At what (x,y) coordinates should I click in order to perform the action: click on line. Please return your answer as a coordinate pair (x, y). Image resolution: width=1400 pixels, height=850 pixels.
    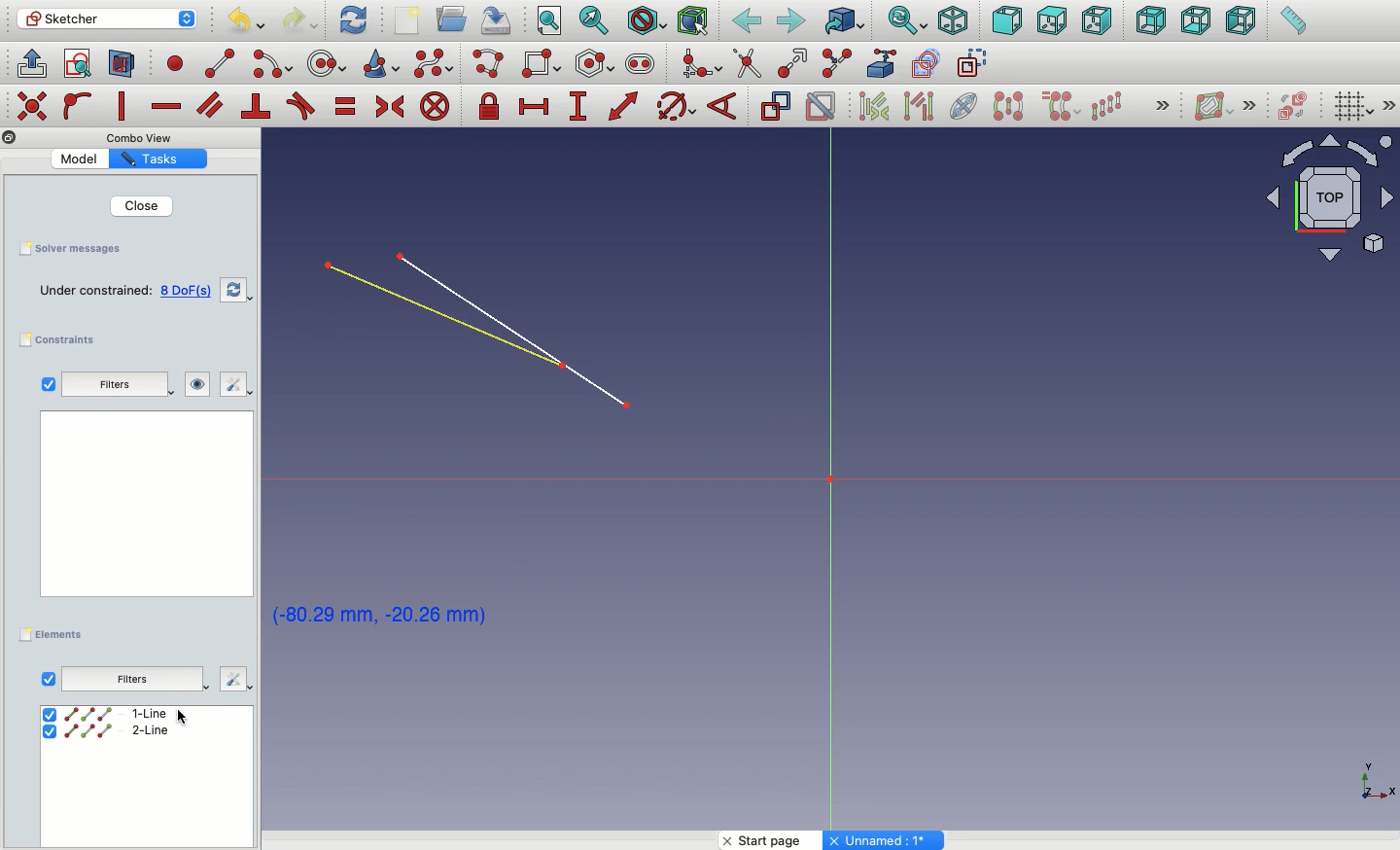
    Looking at the image, I should click on (221, 64).